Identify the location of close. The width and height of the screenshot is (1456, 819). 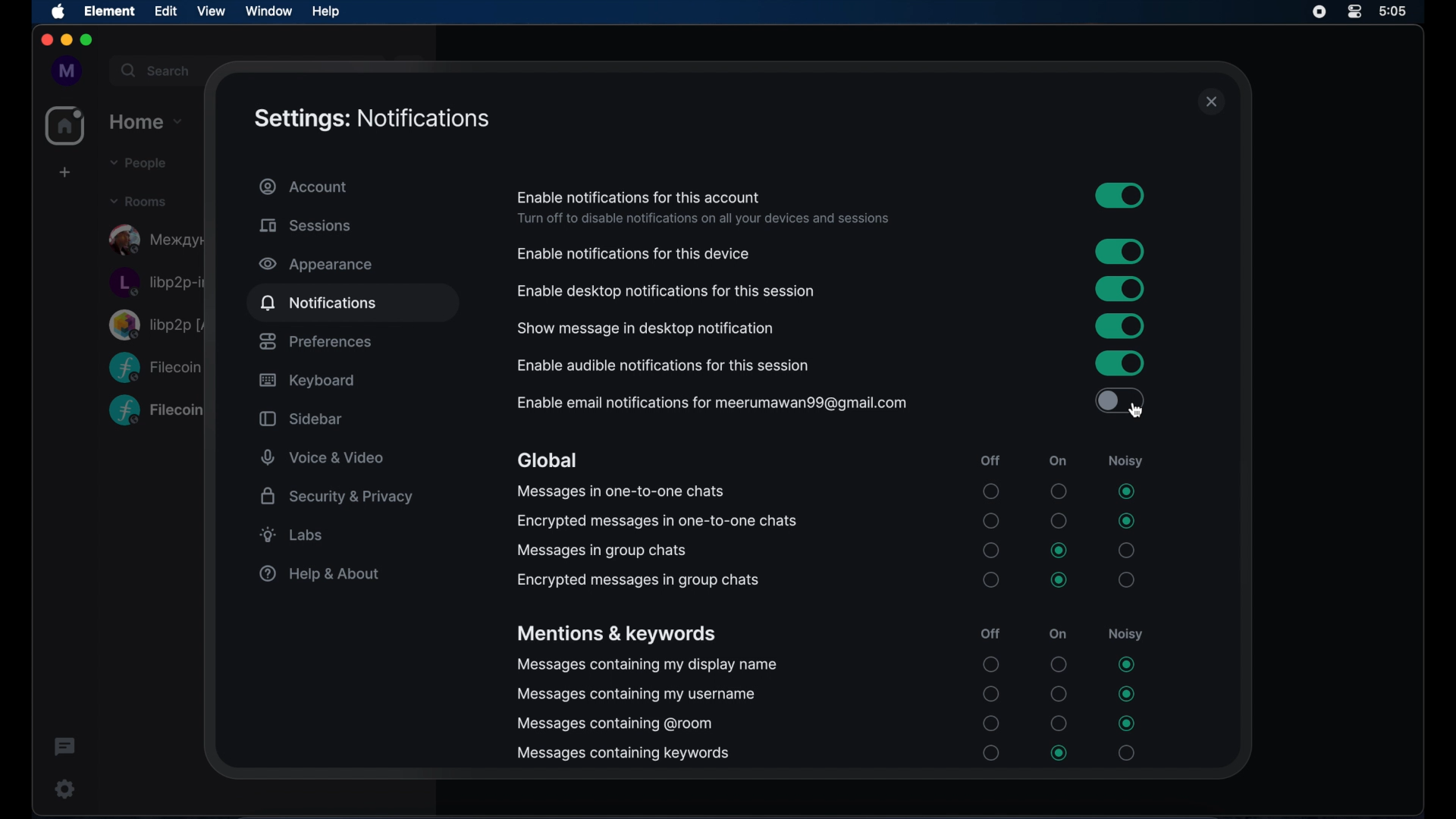
(1212, 102).